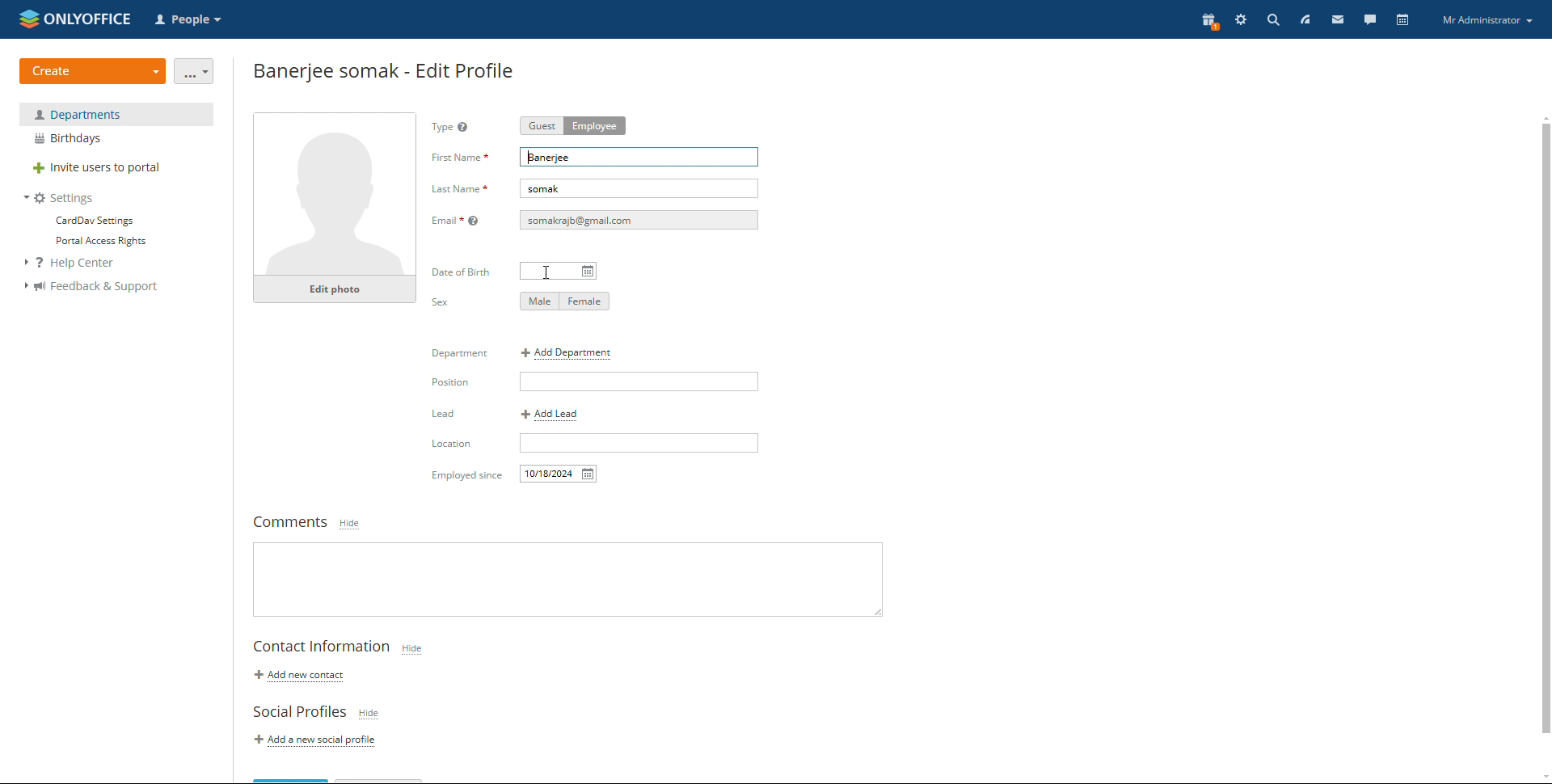  Describe the element at coordinates (78, 263) in the screenshot. I see `help center` at that location.